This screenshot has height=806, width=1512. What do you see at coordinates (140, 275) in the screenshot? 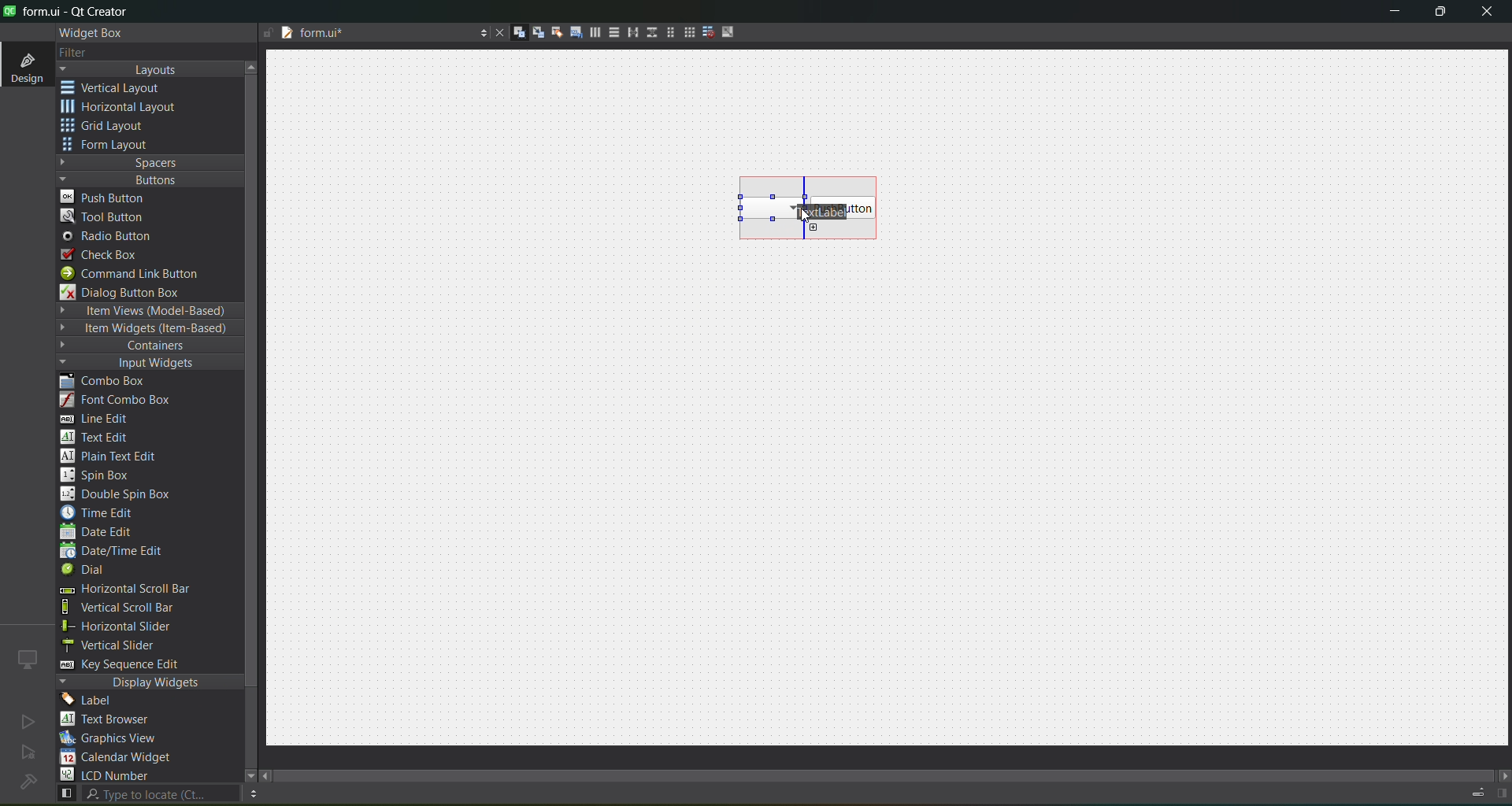
I see `command` at bounding box center [140, 275].